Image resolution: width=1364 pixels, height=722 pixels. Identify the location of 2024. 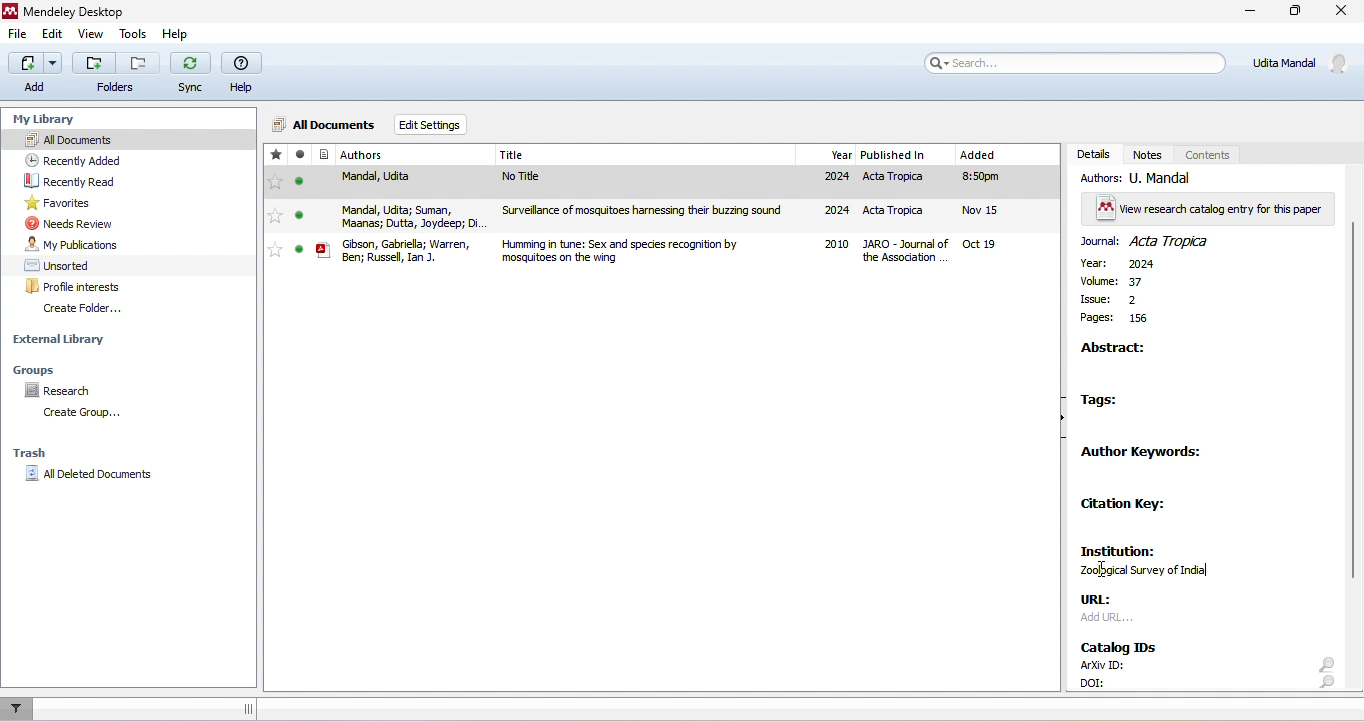
(834, 211).